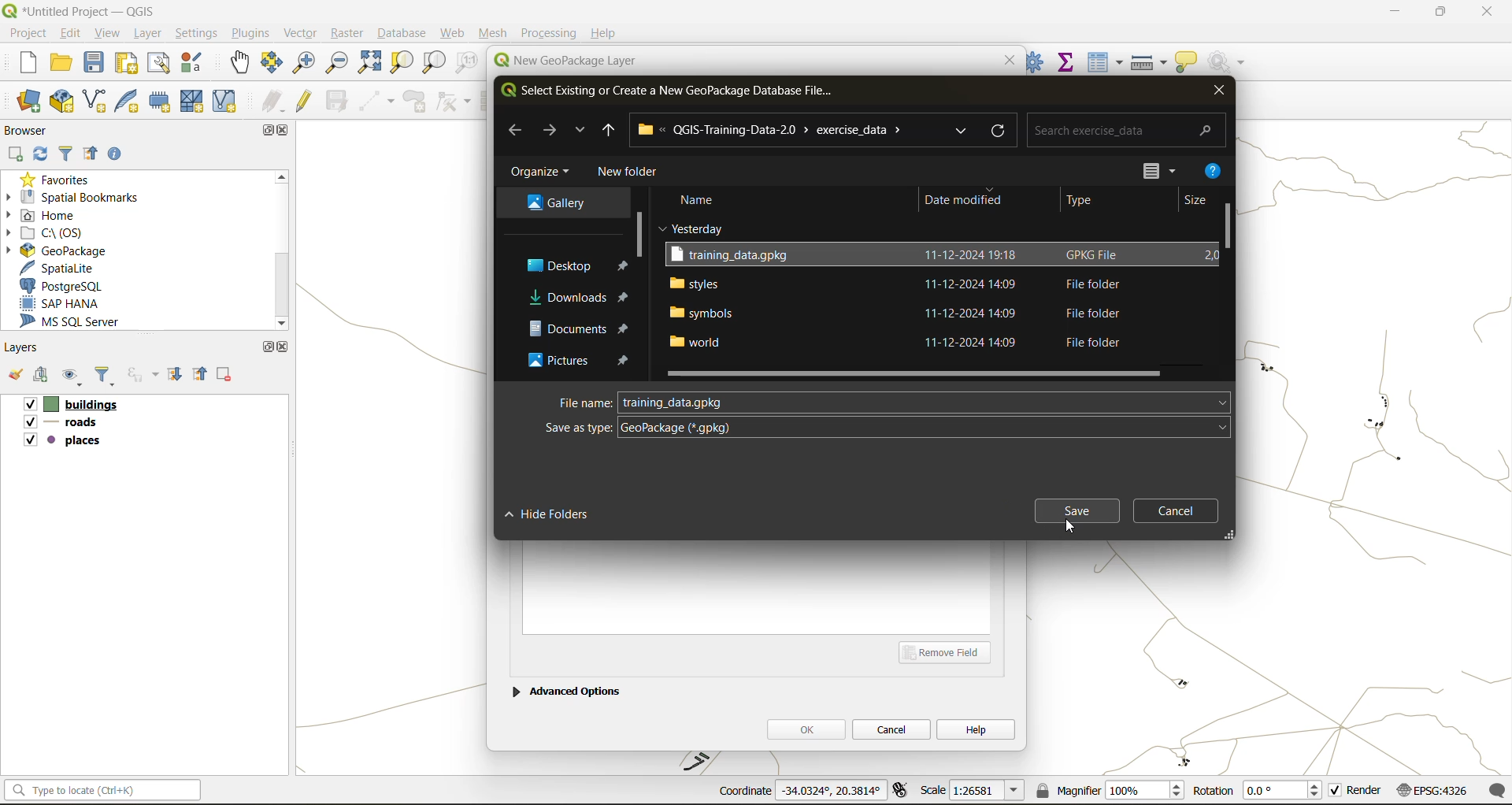  Describe the element at coordinates (59, 178) in the screenshot. I see `favorites` at that location.